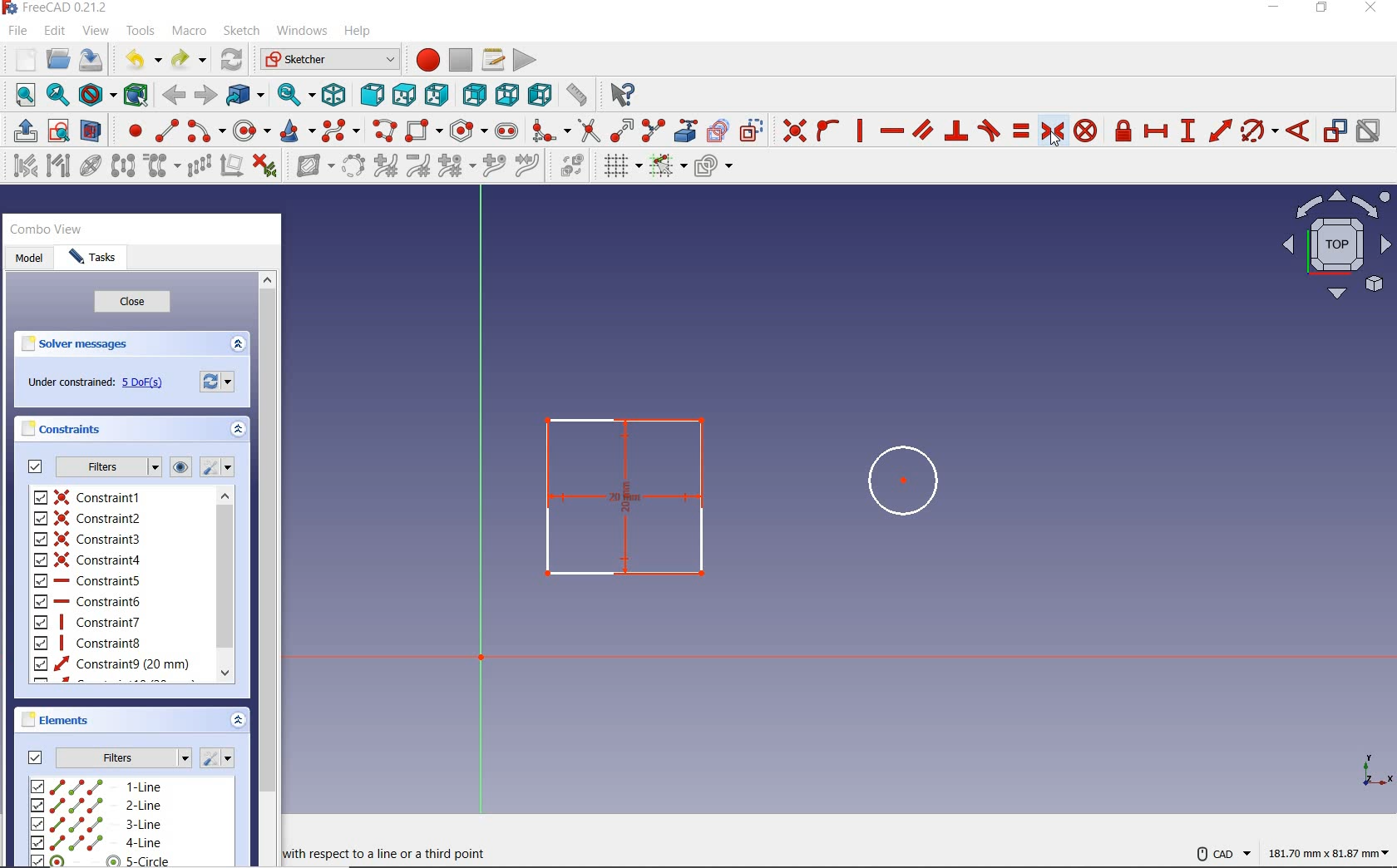 This screenshot has width=1397, height=868. What do you see at coordinates (200, 167) in the screenshot?
I see `rectangular array` at bounding box center [200, 167].